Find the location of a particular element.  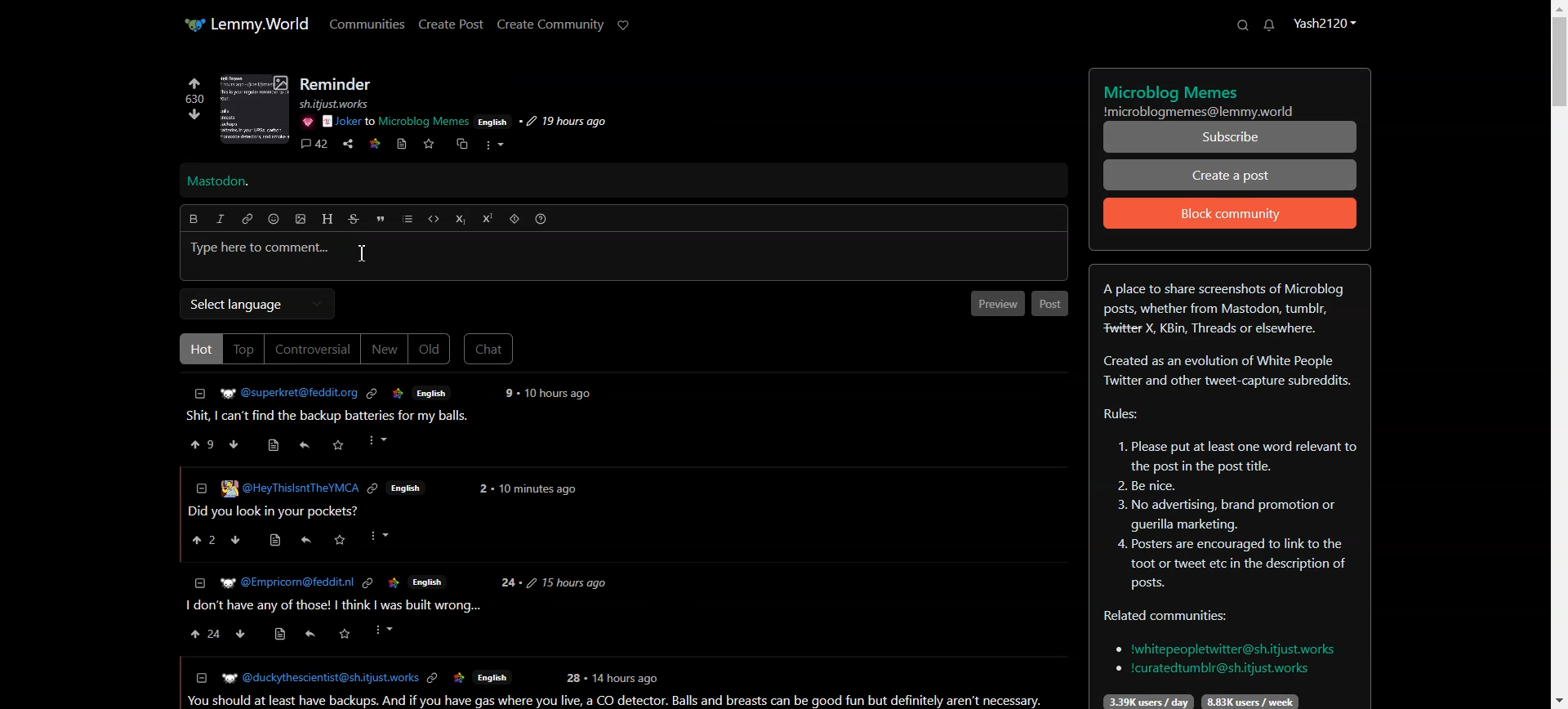

 is located at coordinates (385, 630).